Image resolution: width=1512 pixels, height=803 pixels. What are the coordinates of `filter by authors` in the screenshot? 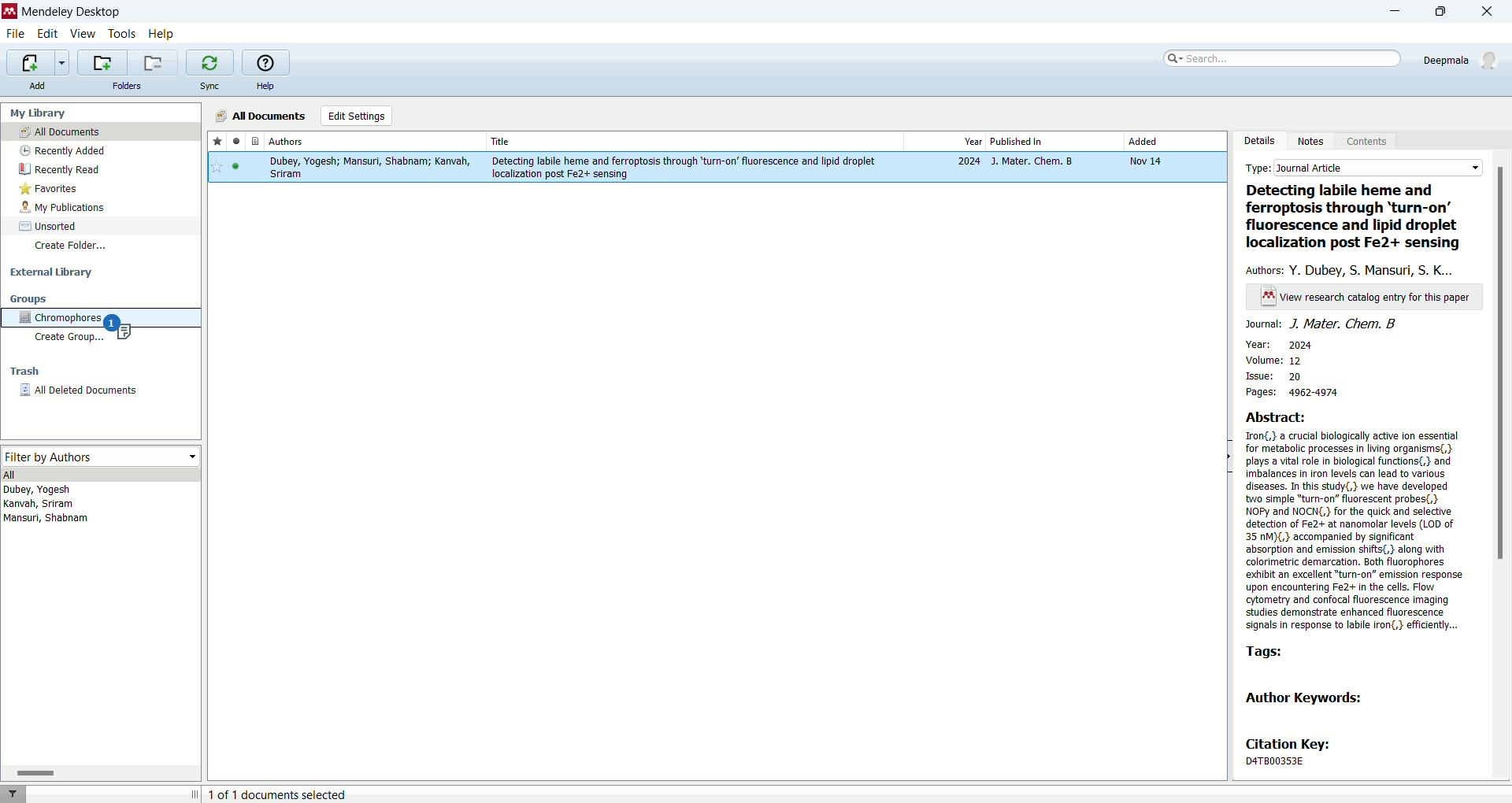 It's located at (102, 457).